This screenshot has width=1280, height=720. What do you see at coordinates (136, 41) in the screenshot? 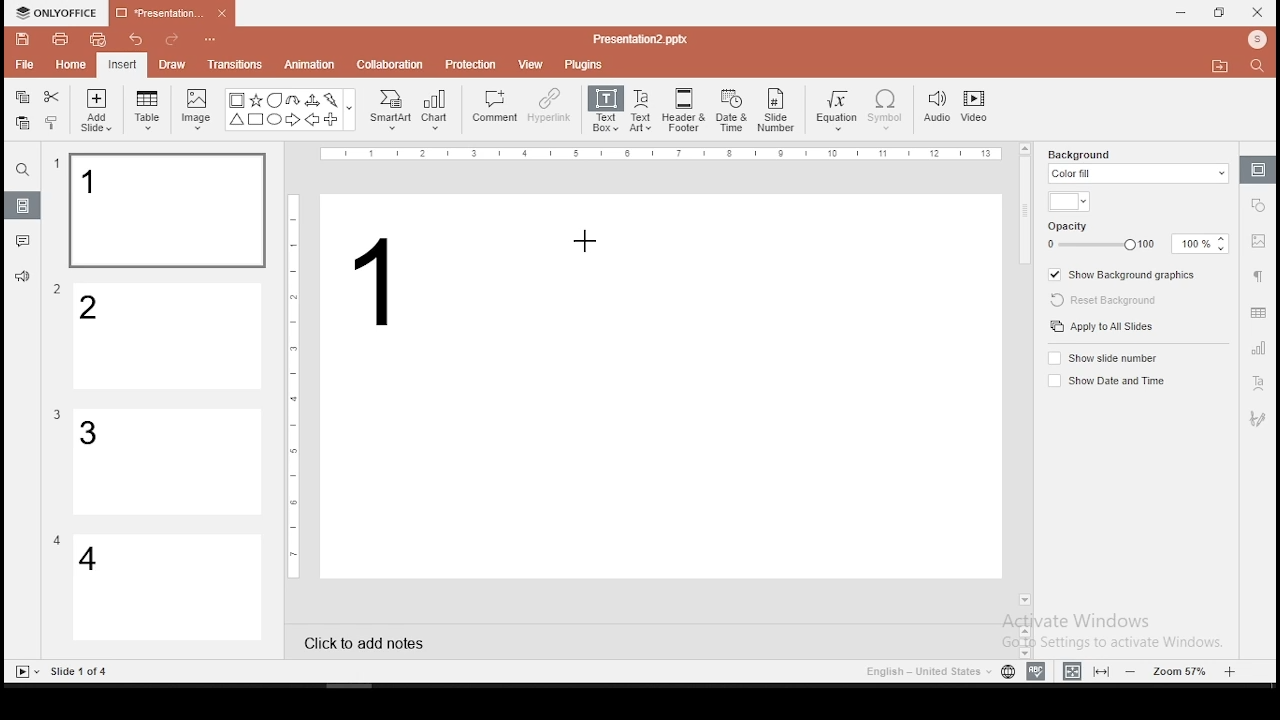
I see `undo` at bounding box center [136, 41].